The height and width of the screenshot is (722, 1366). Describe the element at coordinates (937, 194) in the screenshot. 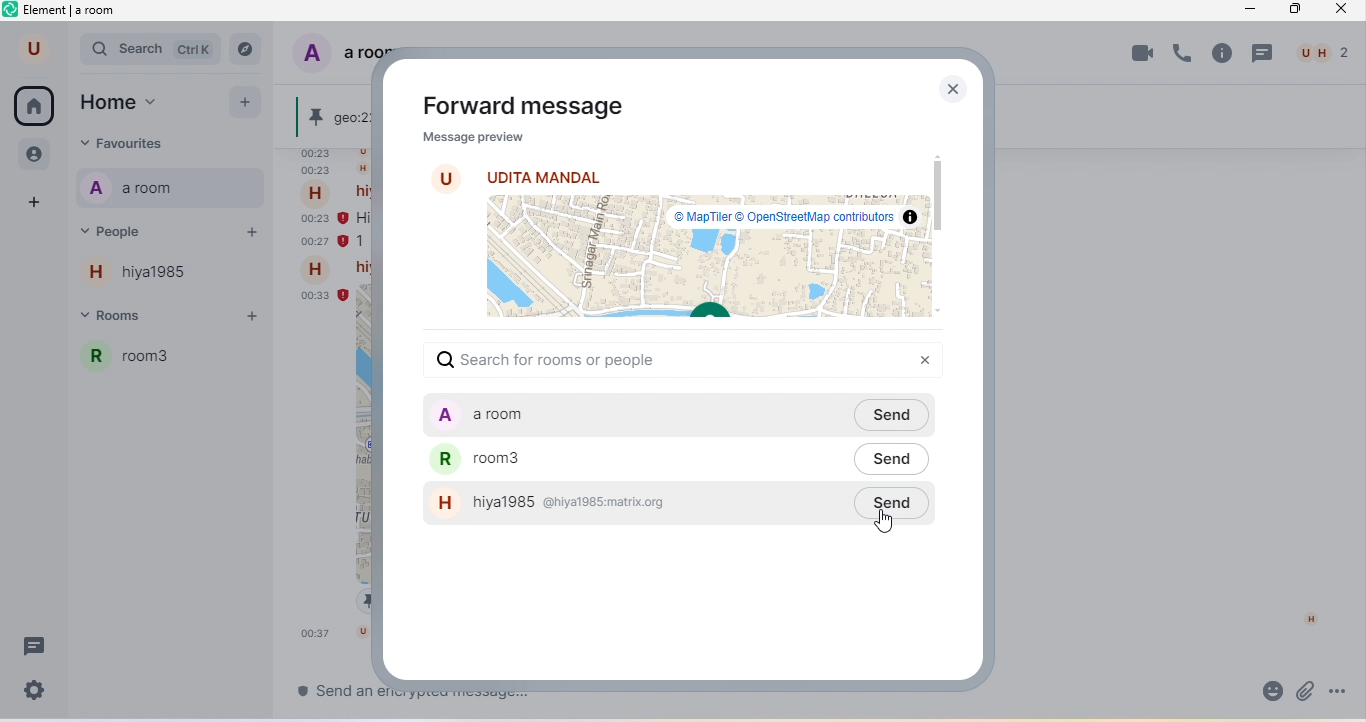

I see `vertical scroll  bar` at that location.